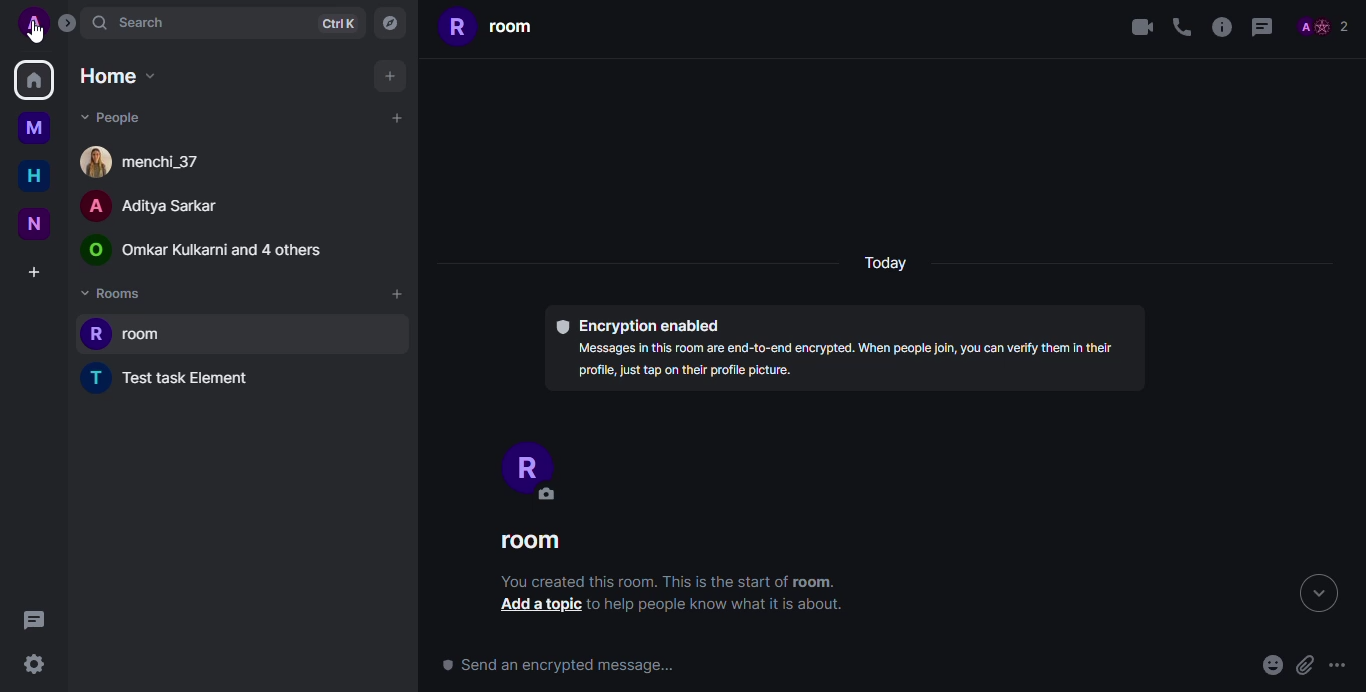 The width and height of the screenshot is (1366, 692). Describe the element at coordinates (1137, 27) in the screenshot. I see `video call` at that location.